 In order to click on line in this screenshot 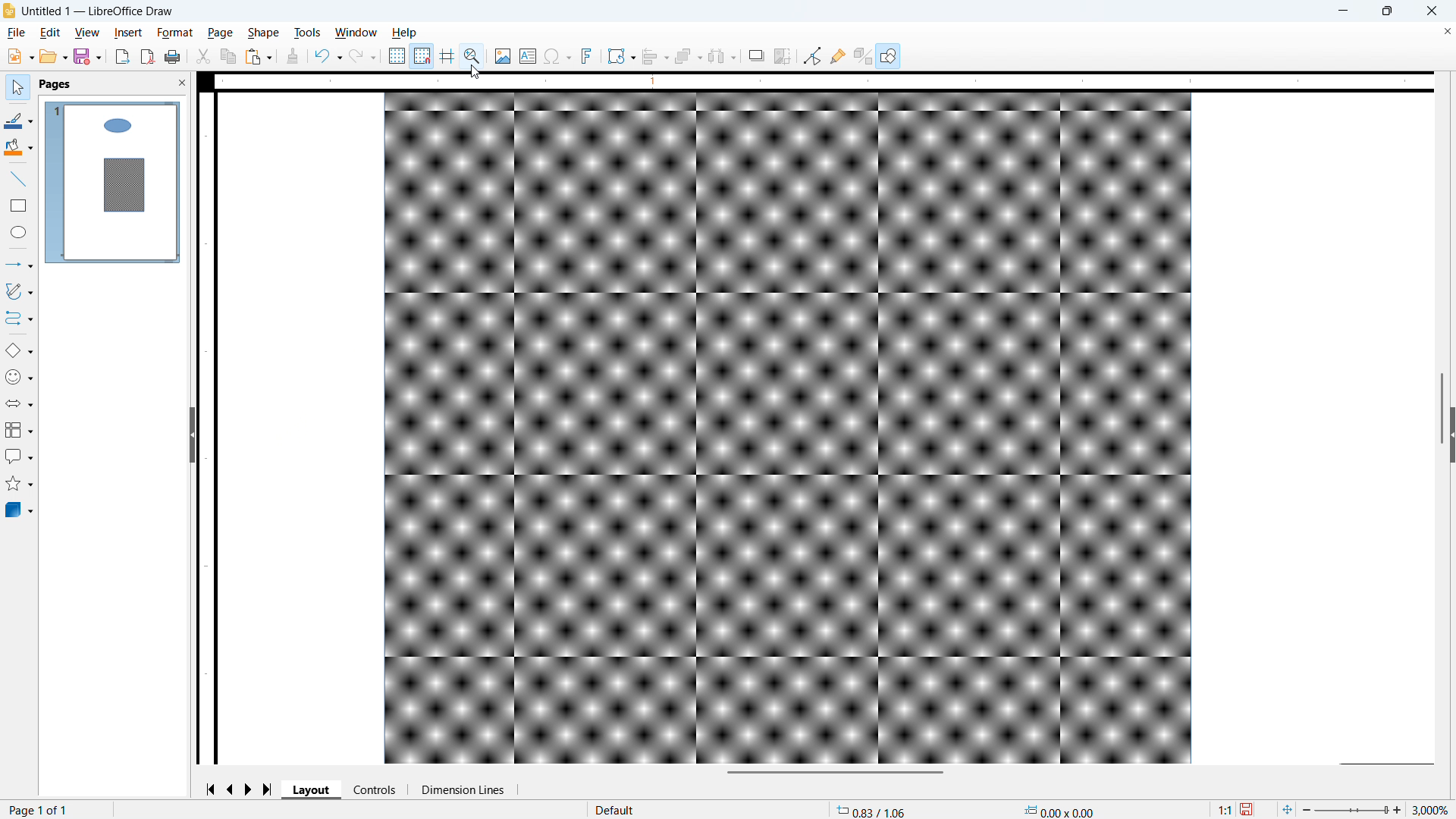, I will do `click(17, 179)`.